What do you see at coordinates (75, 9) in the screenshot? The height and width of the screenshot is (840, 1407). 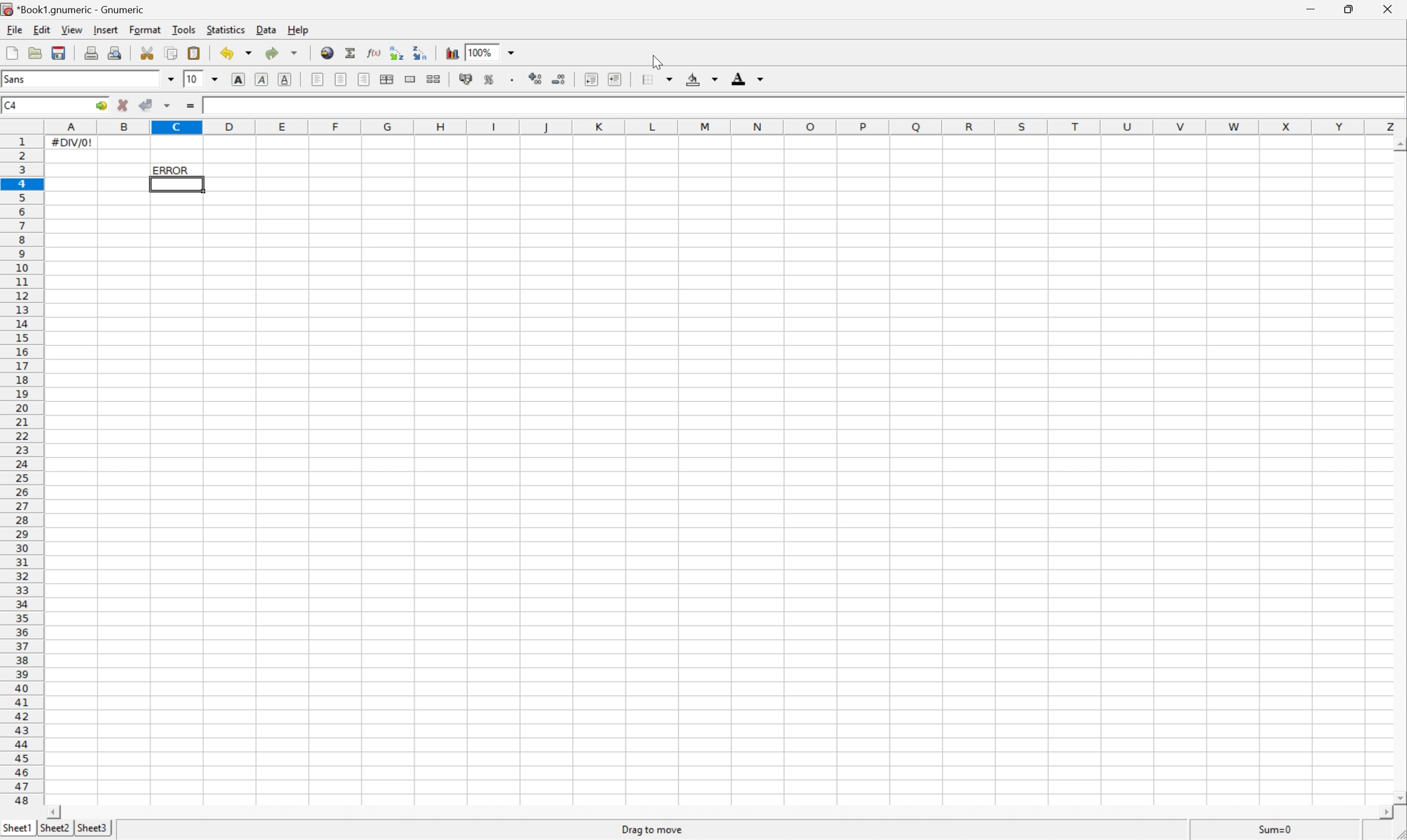 I see `*Book1.gnumeric - Gnumeric` at bounding box center [75, 9].